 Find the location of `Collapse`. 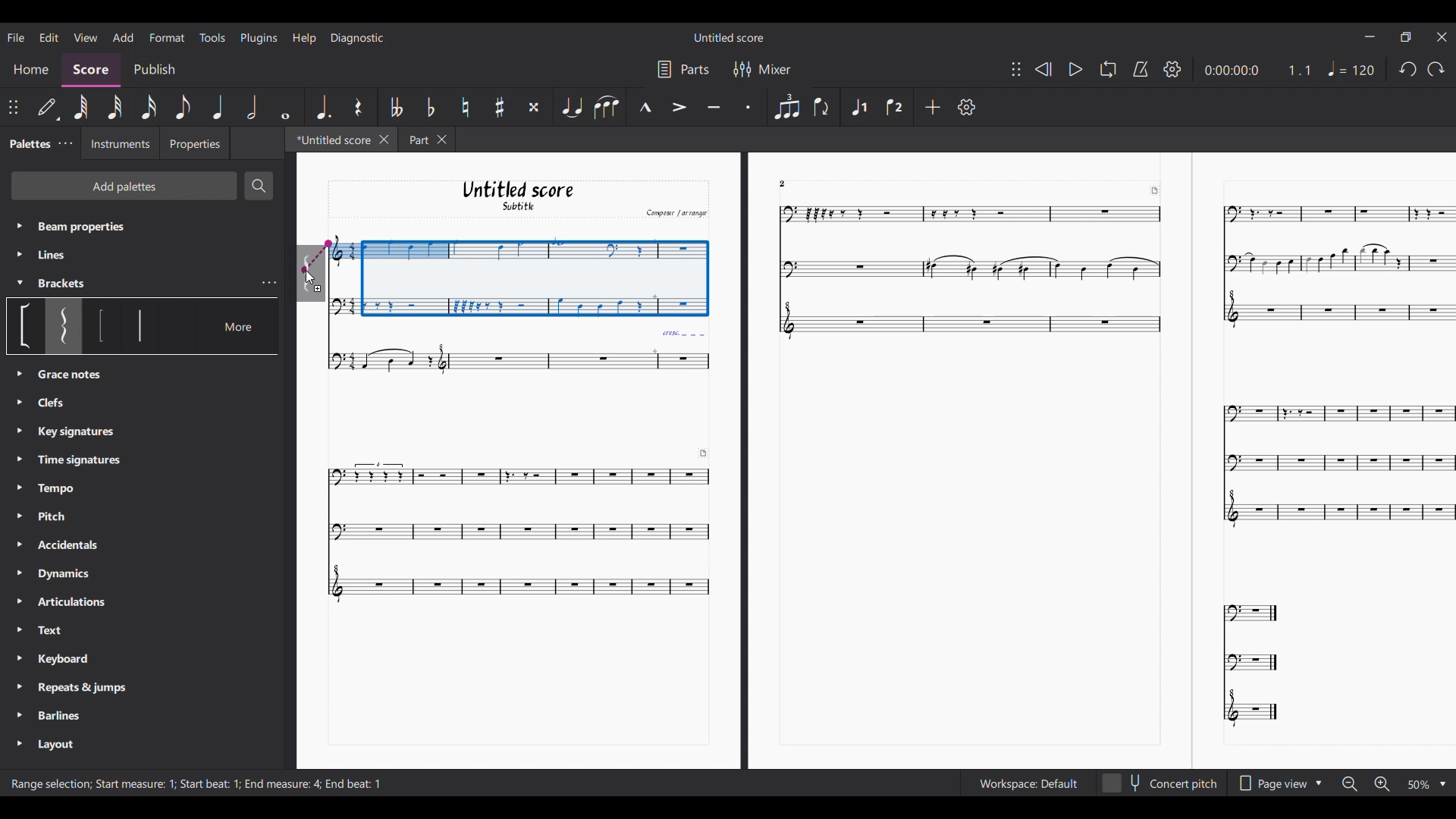

Collapse is located at coordinates (20, 283).